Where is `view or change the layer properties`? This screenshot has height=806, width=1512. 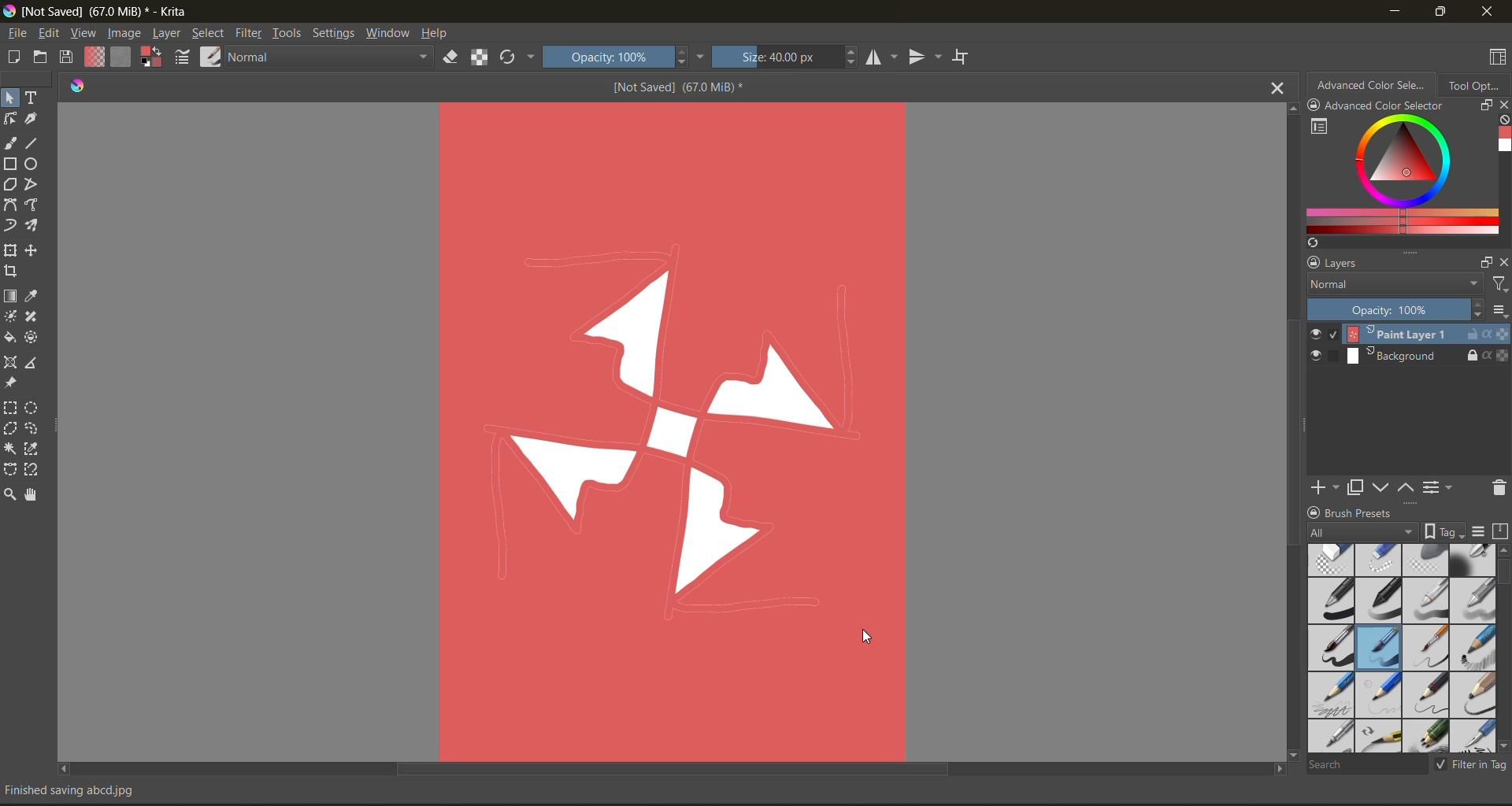
view or change the layer properties is located at coordinates (1439, 486).